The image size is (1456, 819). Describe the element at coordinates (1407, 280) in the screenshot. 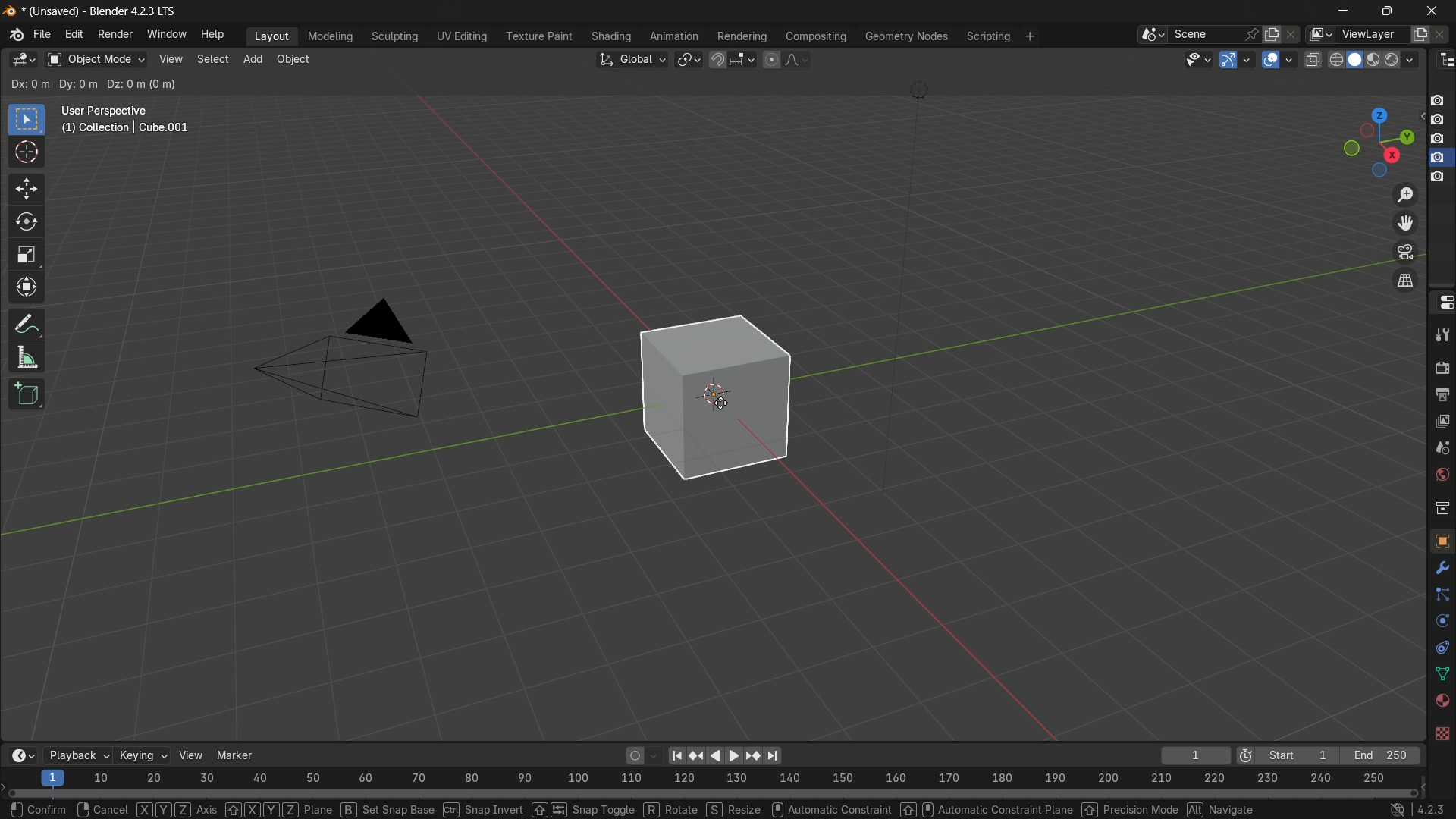

I see `switch view` at that location.